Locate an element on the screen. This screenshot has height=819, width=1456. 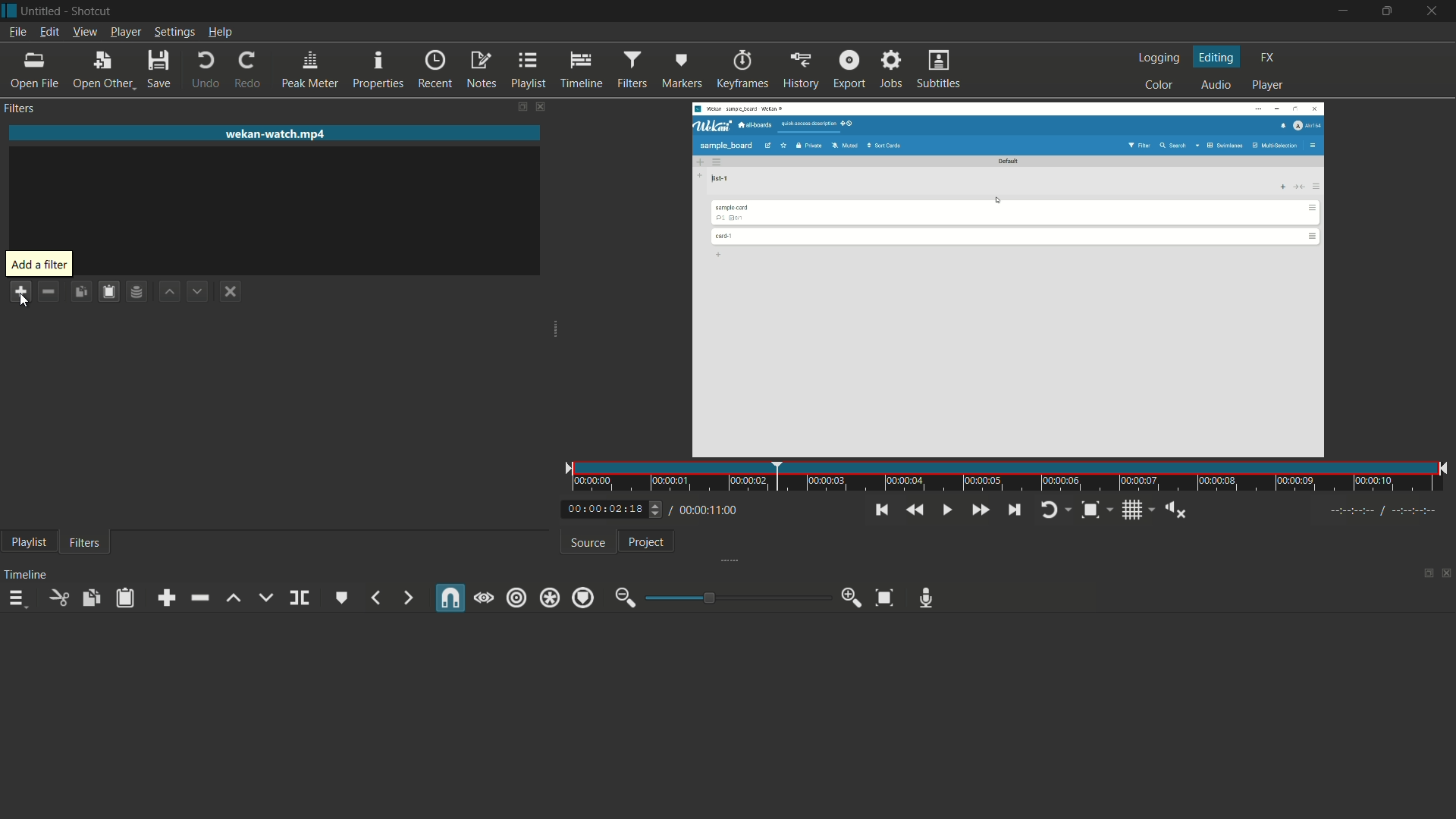
add a filter pop up is located at coordinates (39, 265).